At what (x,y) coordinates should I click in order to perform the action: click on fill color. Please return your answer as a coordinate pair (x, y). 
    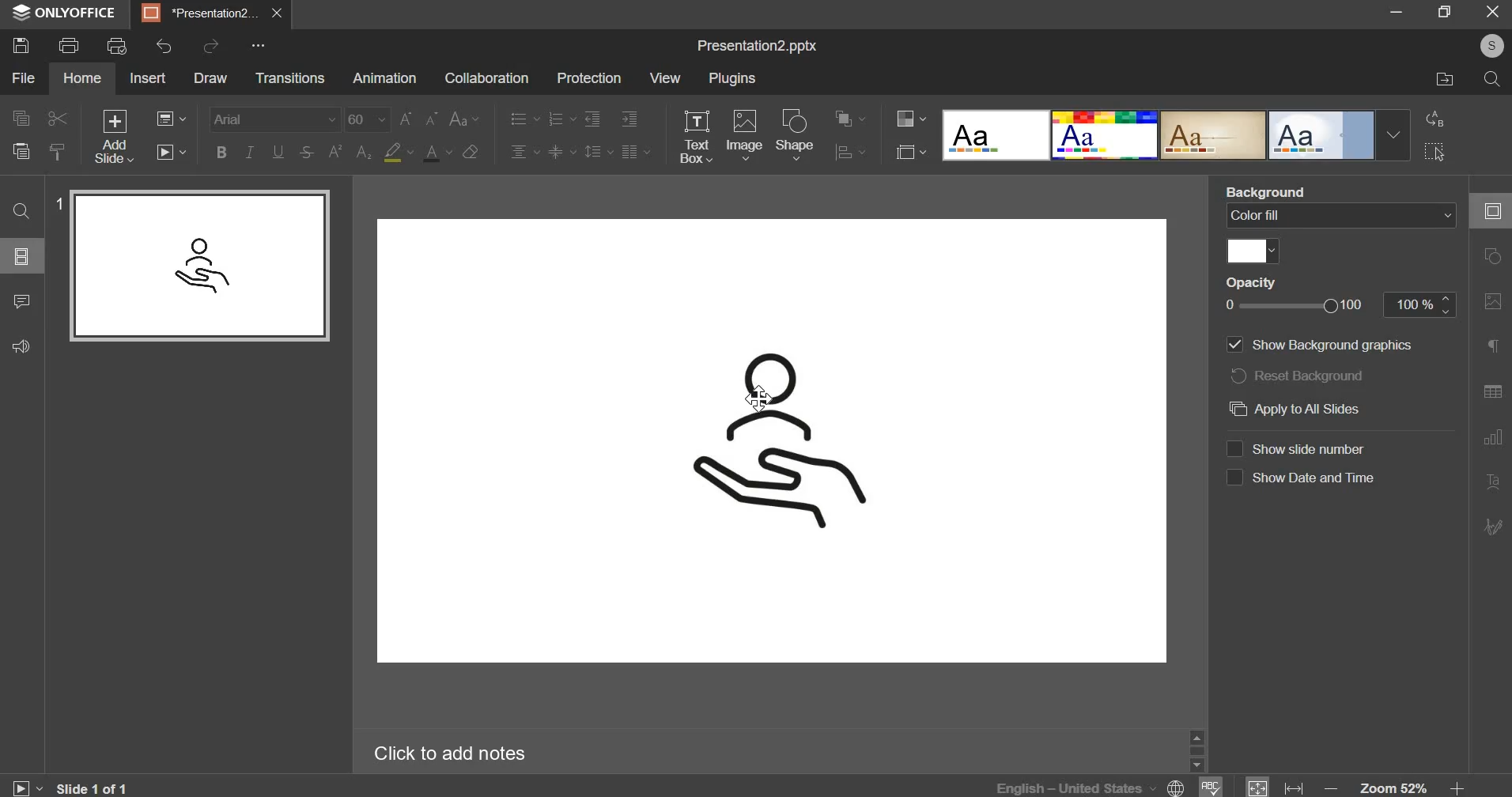
    Looking at the image, I should click on (397, 153).